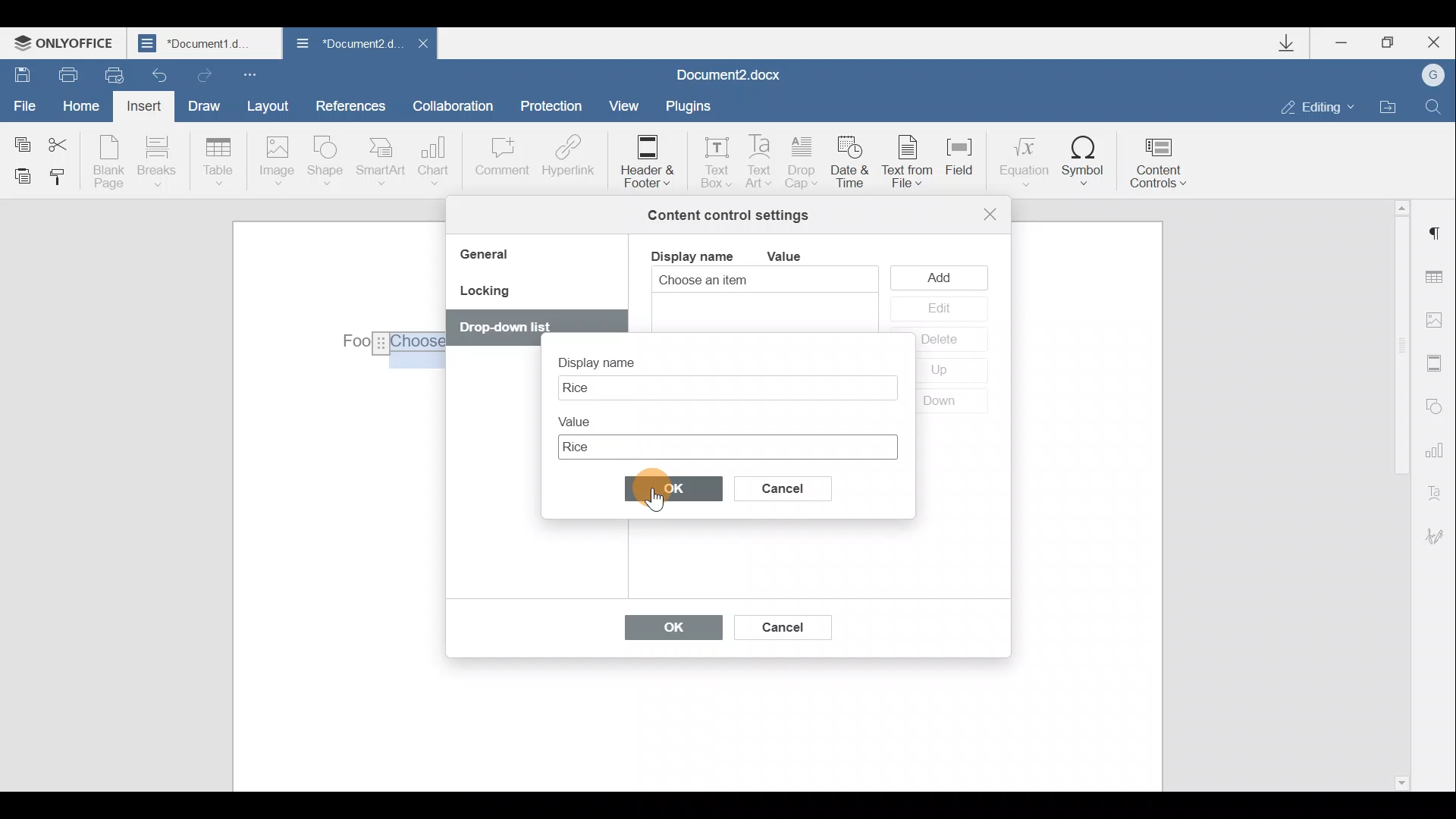 This screenshot has height=819, width=1456. I want to click on Display name, so click(610, 358).